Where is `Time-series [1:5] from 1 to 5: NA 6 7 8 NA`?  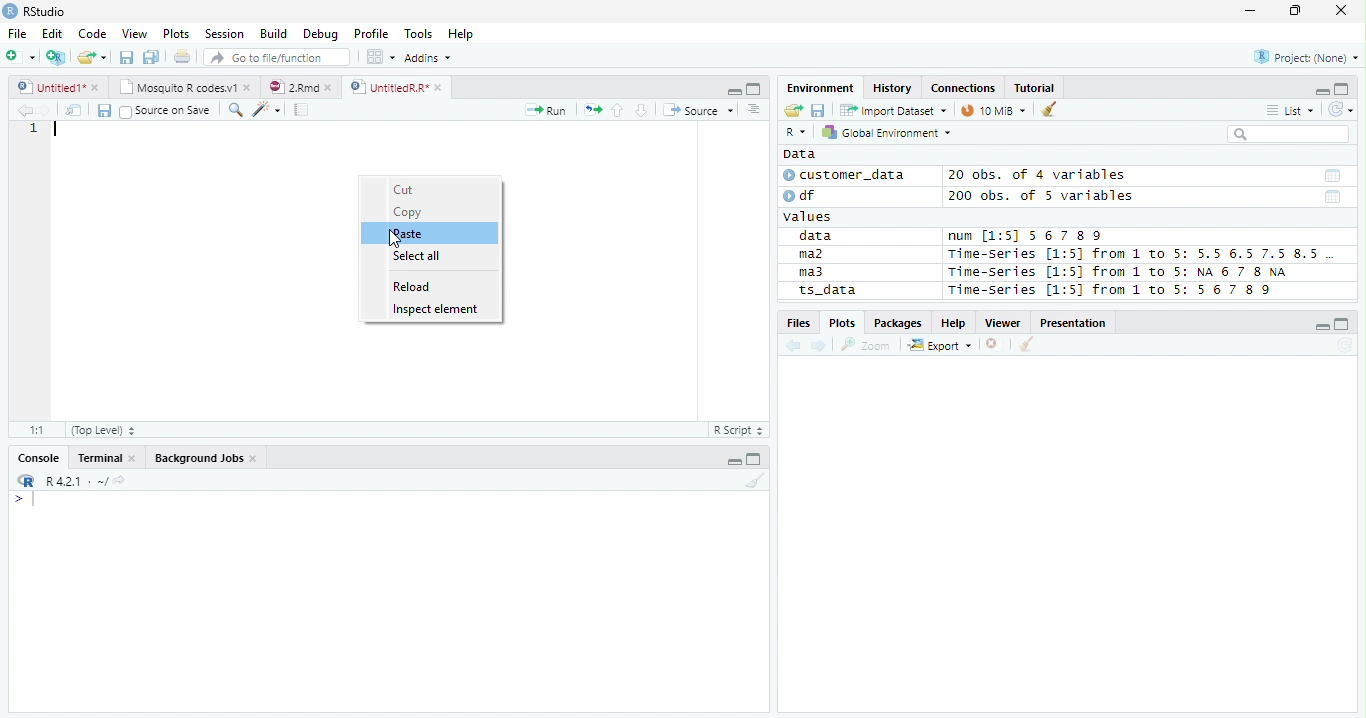
Time-series [1:5] from 1 to 5: NA 6 7 8 NA is located at coordinates (1126, 273).